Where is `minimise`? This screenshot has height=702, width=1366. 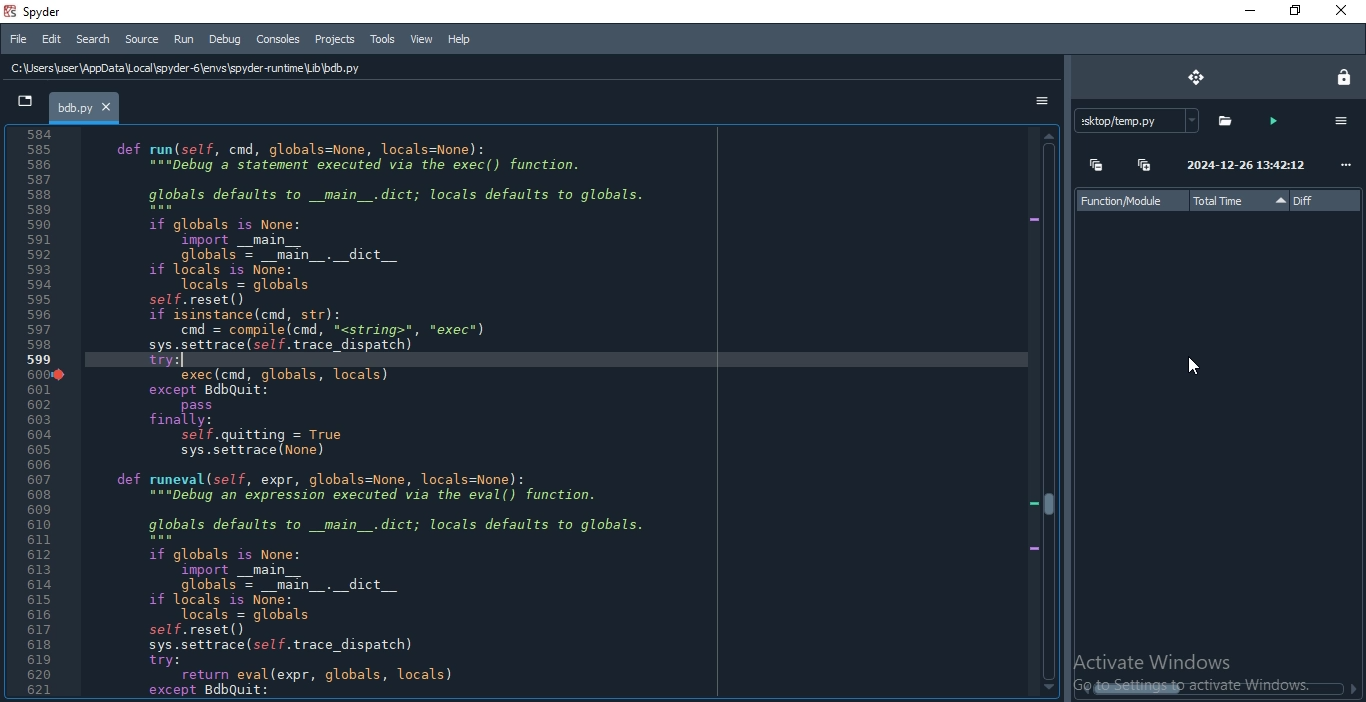 minimise is located at coordinates (1248, 13).